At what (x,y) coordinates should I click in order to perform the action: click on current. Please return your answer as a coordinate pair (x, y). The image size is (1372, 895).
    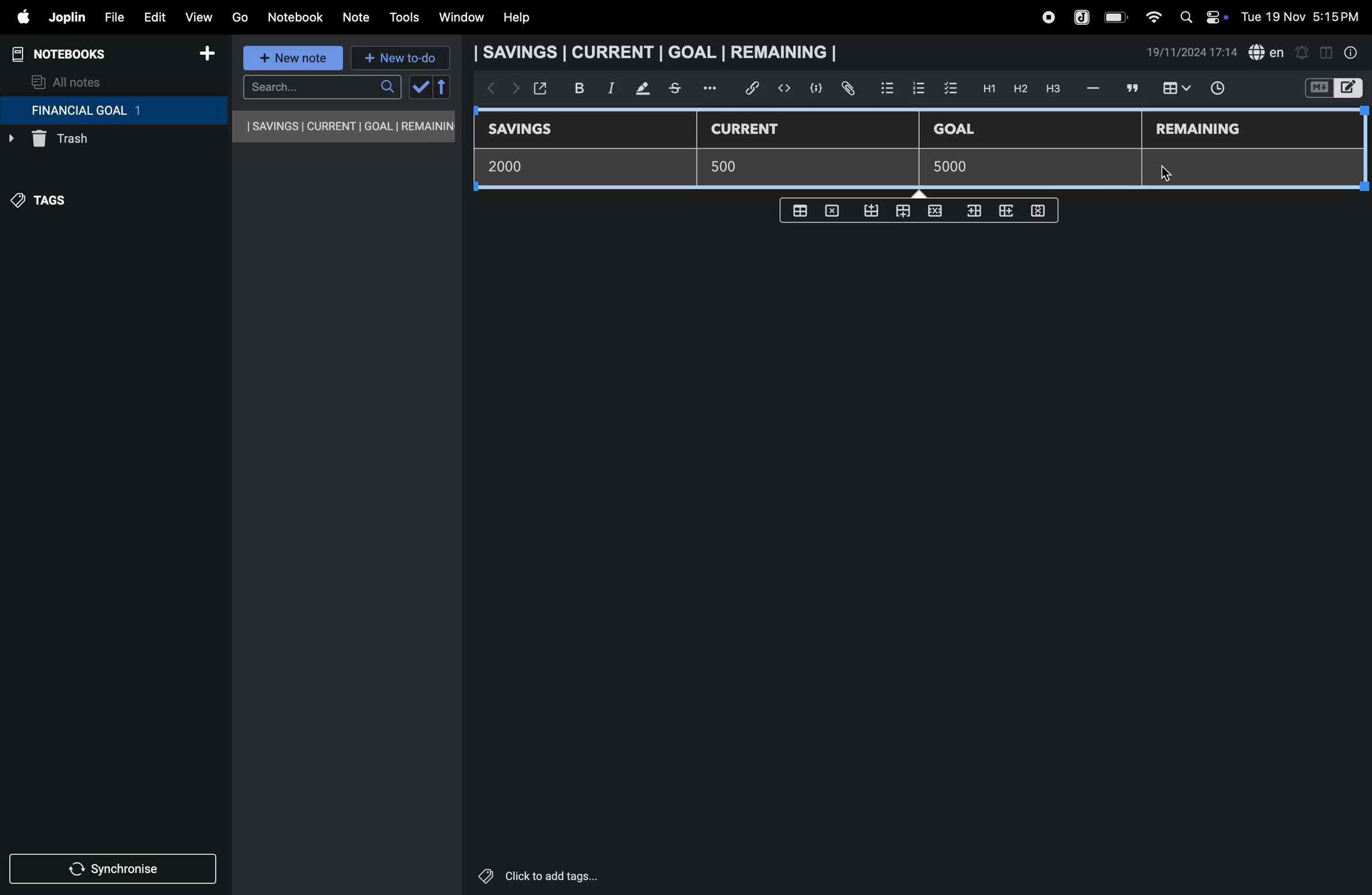
    Looking at the image, I should click on (753, 130).